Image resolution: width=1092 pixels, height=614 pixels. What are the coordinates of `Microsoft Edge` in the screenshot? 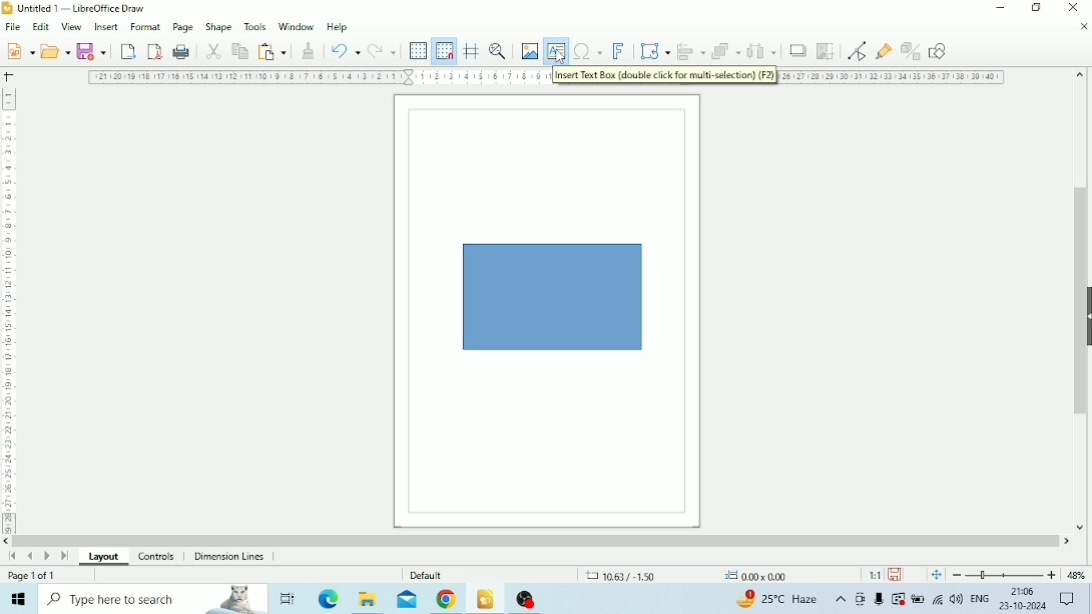 It's located at (327, 600).